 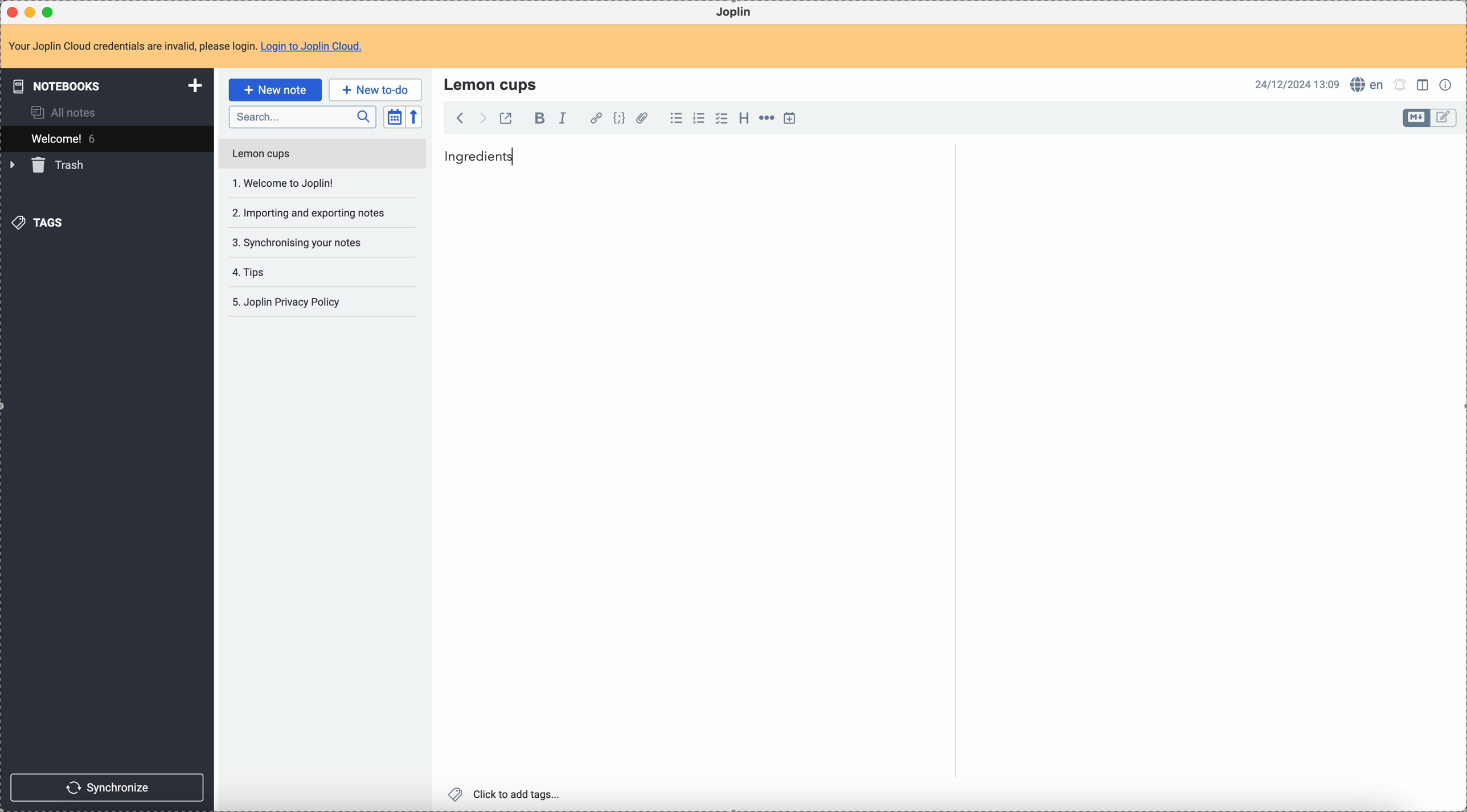 What do you see at coordinates (49, 165) in the screenshot?
I see `trash` at bounding box center [49, 165].